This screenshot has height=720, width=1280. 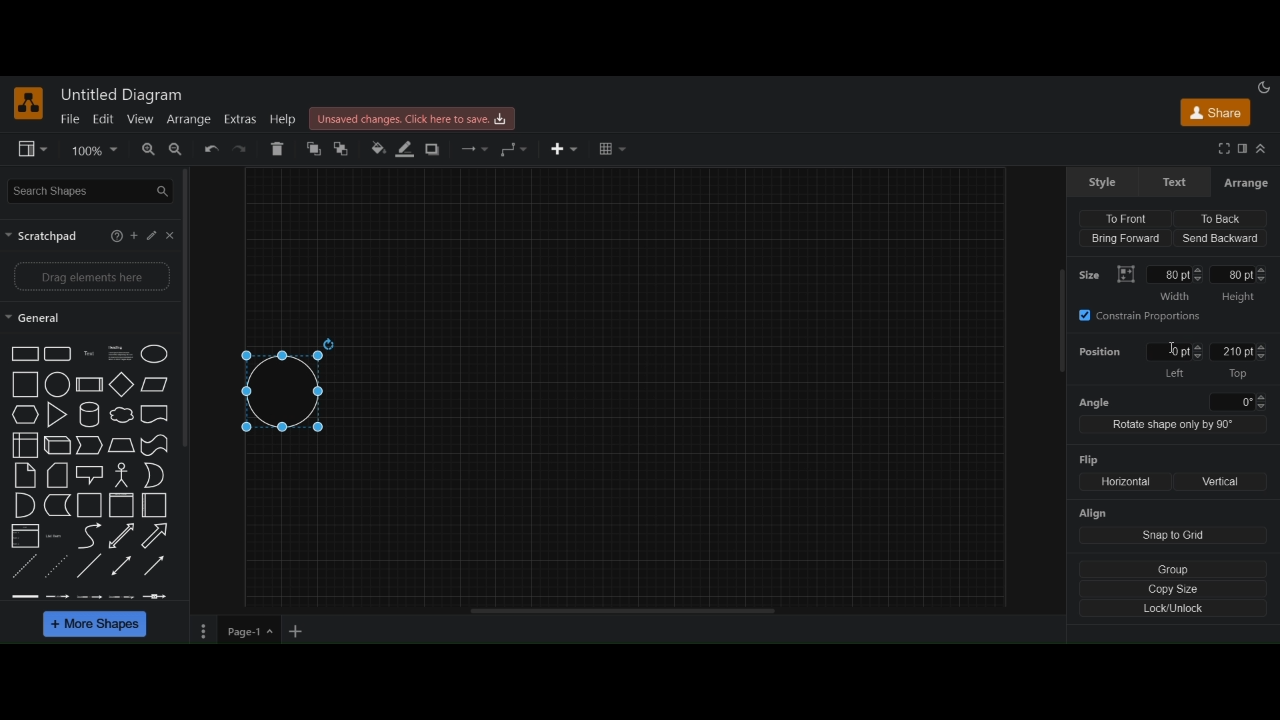 What do you see at coordinates (25, 505) in the screenshot?
I see `Half circle` at bounding box center [25, 505].